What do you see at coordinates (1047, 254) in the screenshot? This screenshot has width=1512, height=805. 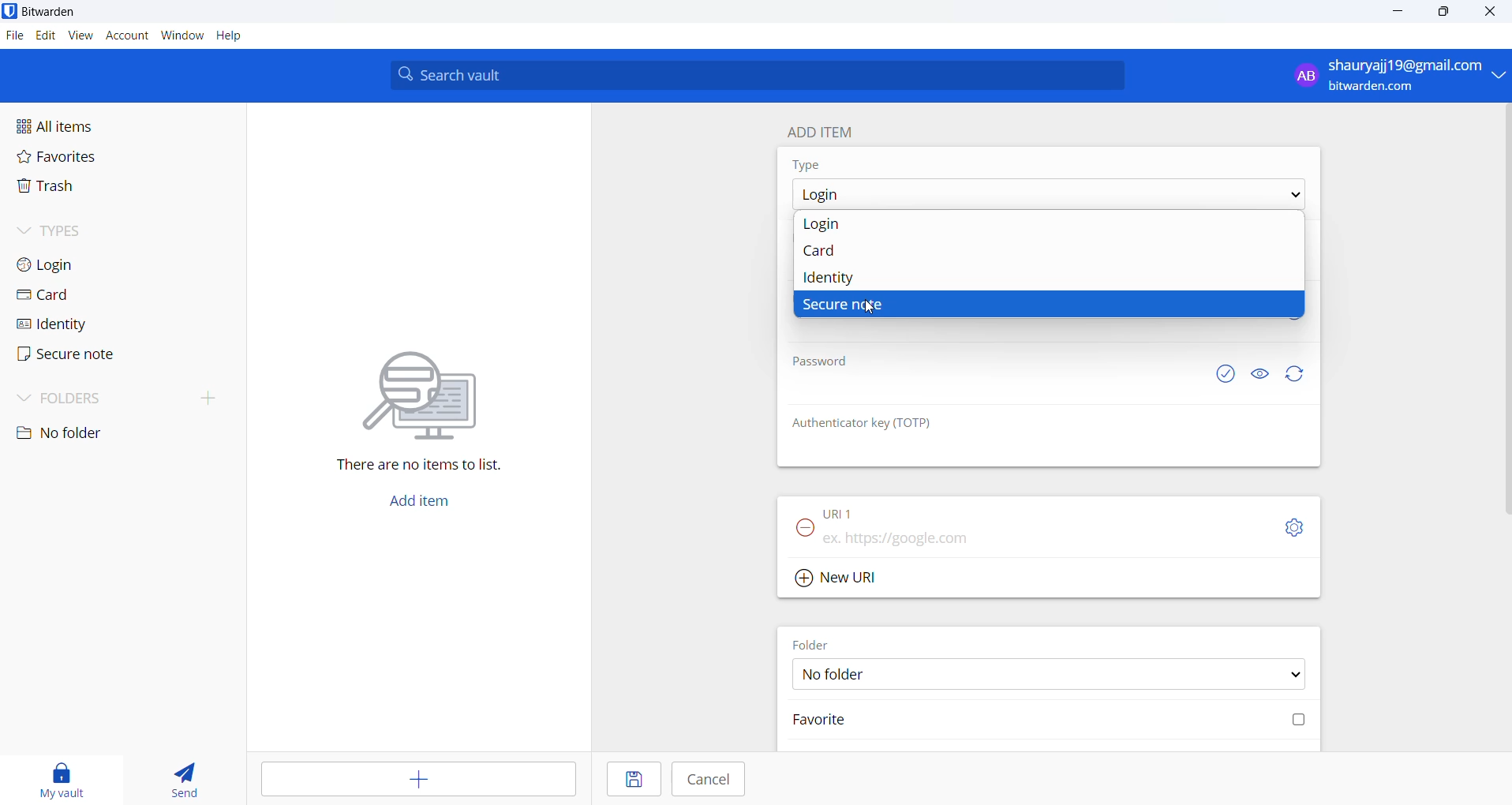 I see `card` at bounding box center [1047, 254].